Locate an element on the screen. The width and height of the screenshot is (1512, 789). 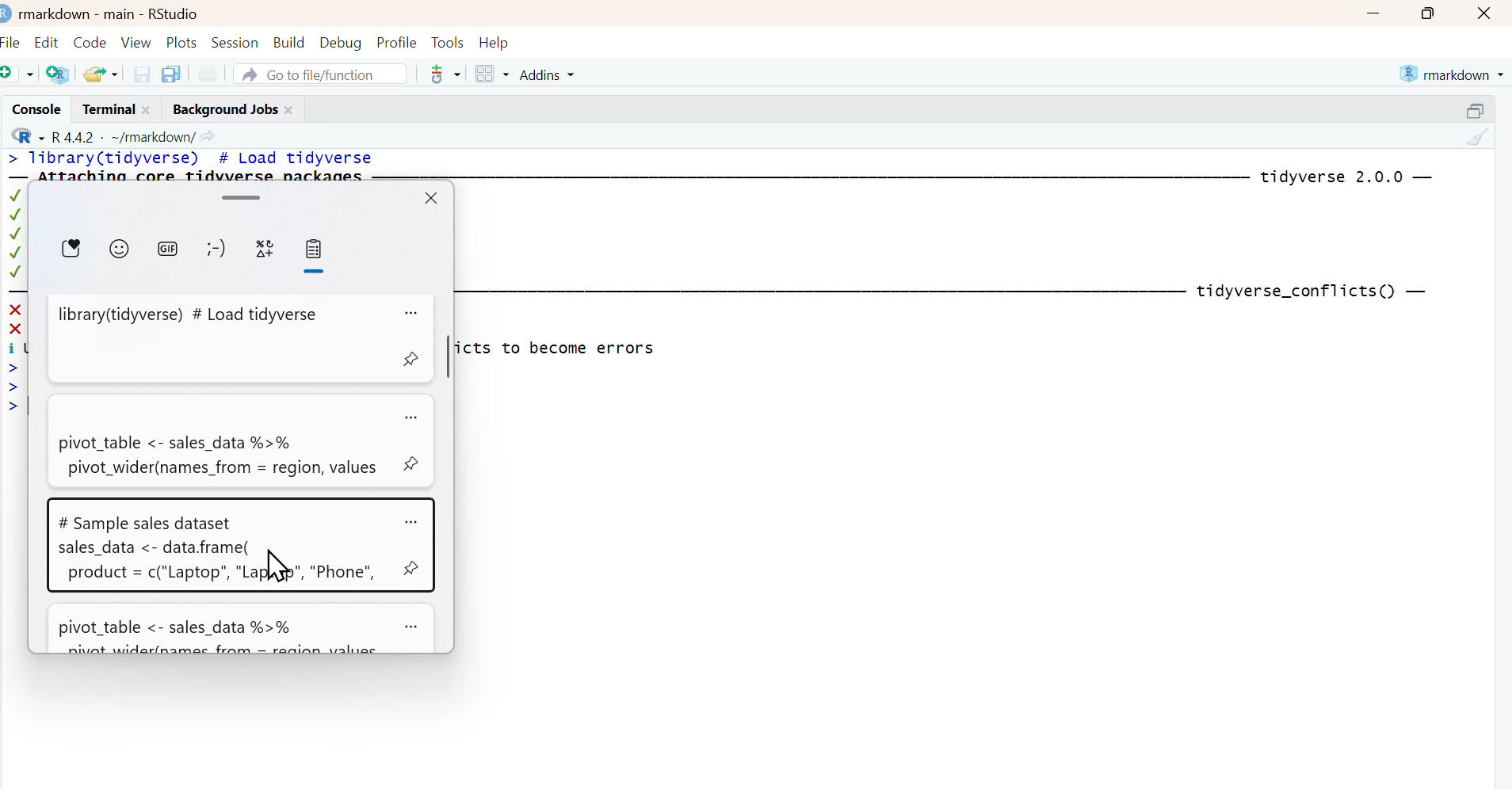
Session is located at coordinates (236, 40).